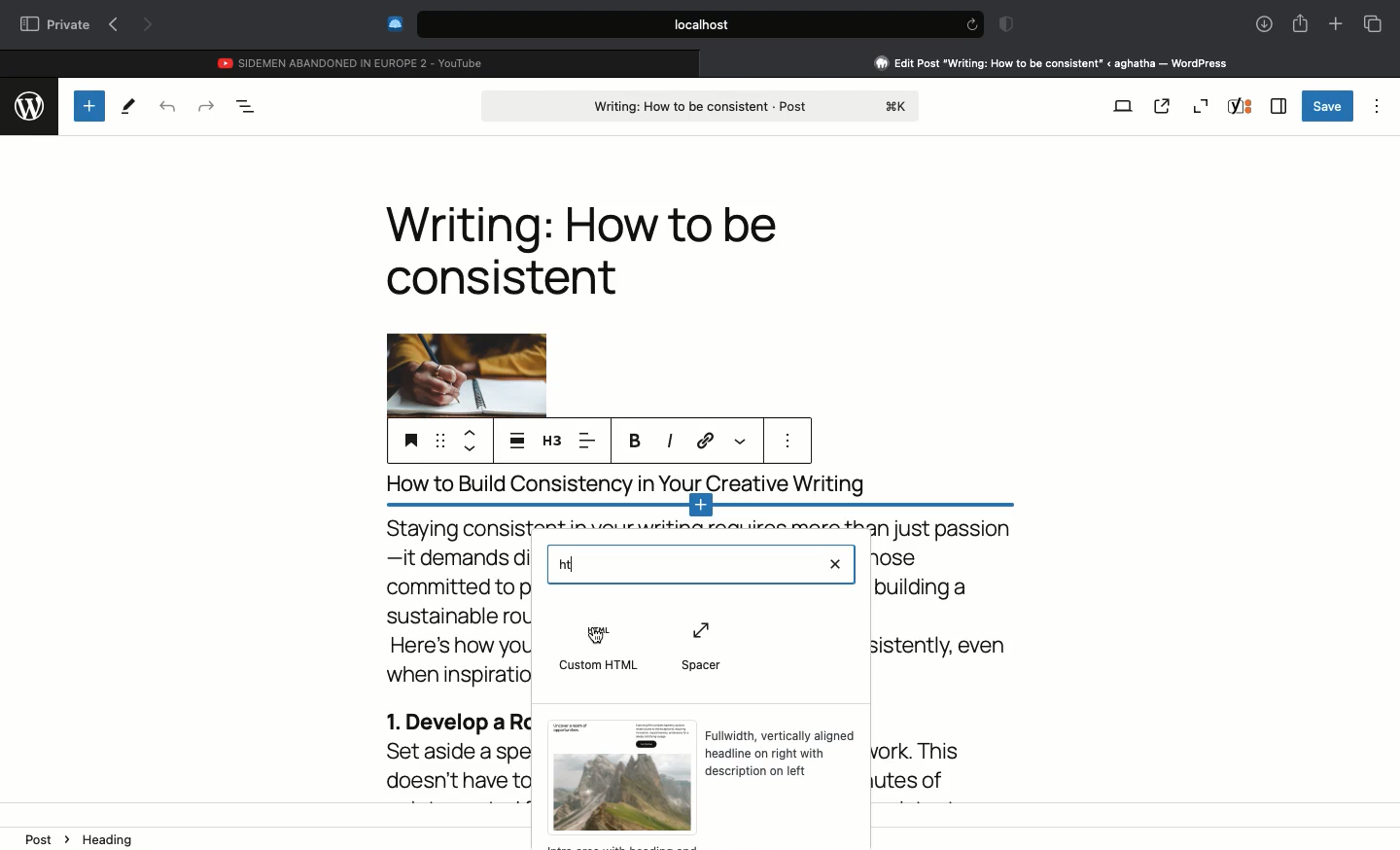 The image size is (1400, 850). Describe the element at coordinates (1261, 25) in the screenshot. I see `Downlaods` at that location.